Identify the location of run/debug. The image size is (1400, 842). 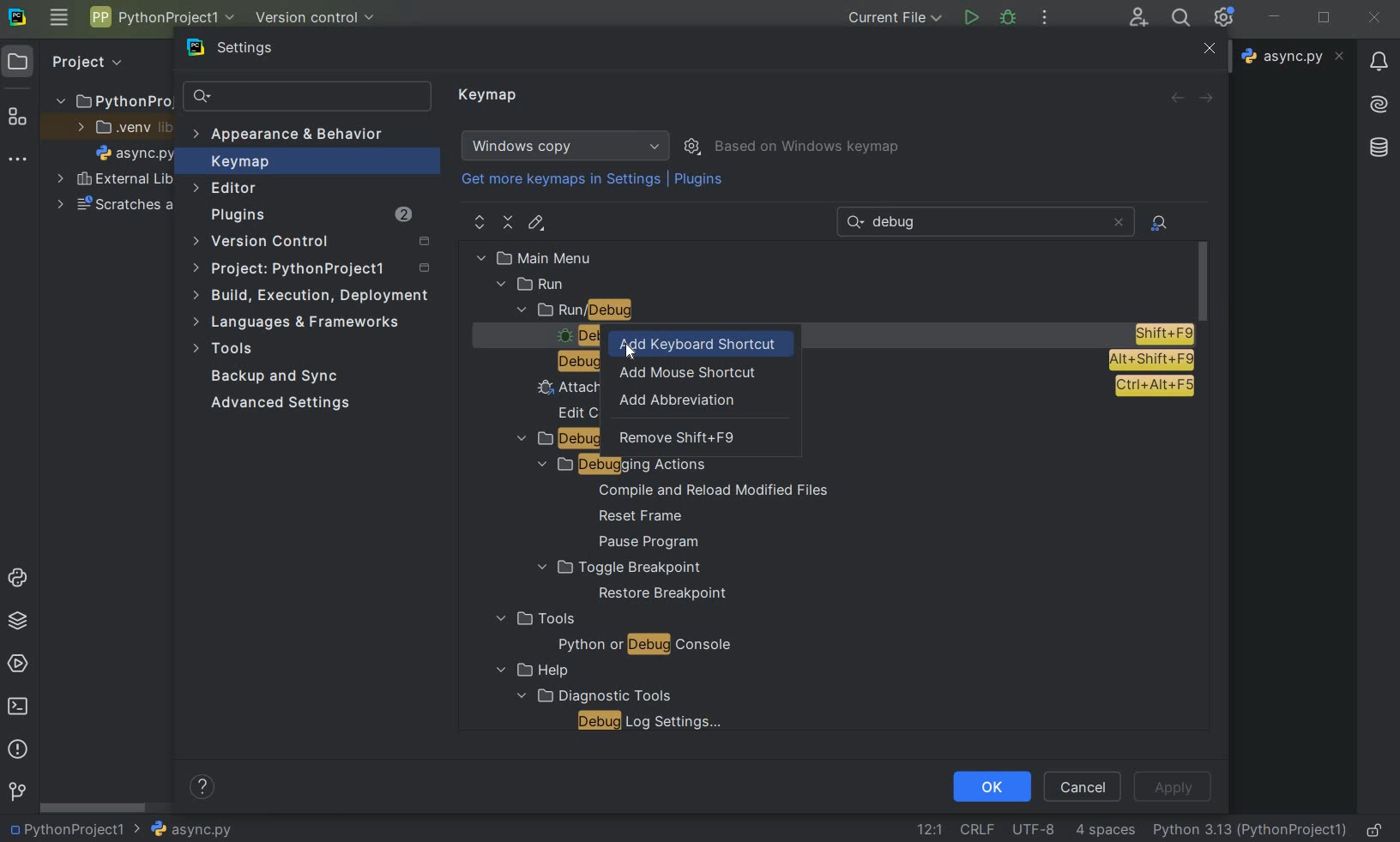
(609, 311).